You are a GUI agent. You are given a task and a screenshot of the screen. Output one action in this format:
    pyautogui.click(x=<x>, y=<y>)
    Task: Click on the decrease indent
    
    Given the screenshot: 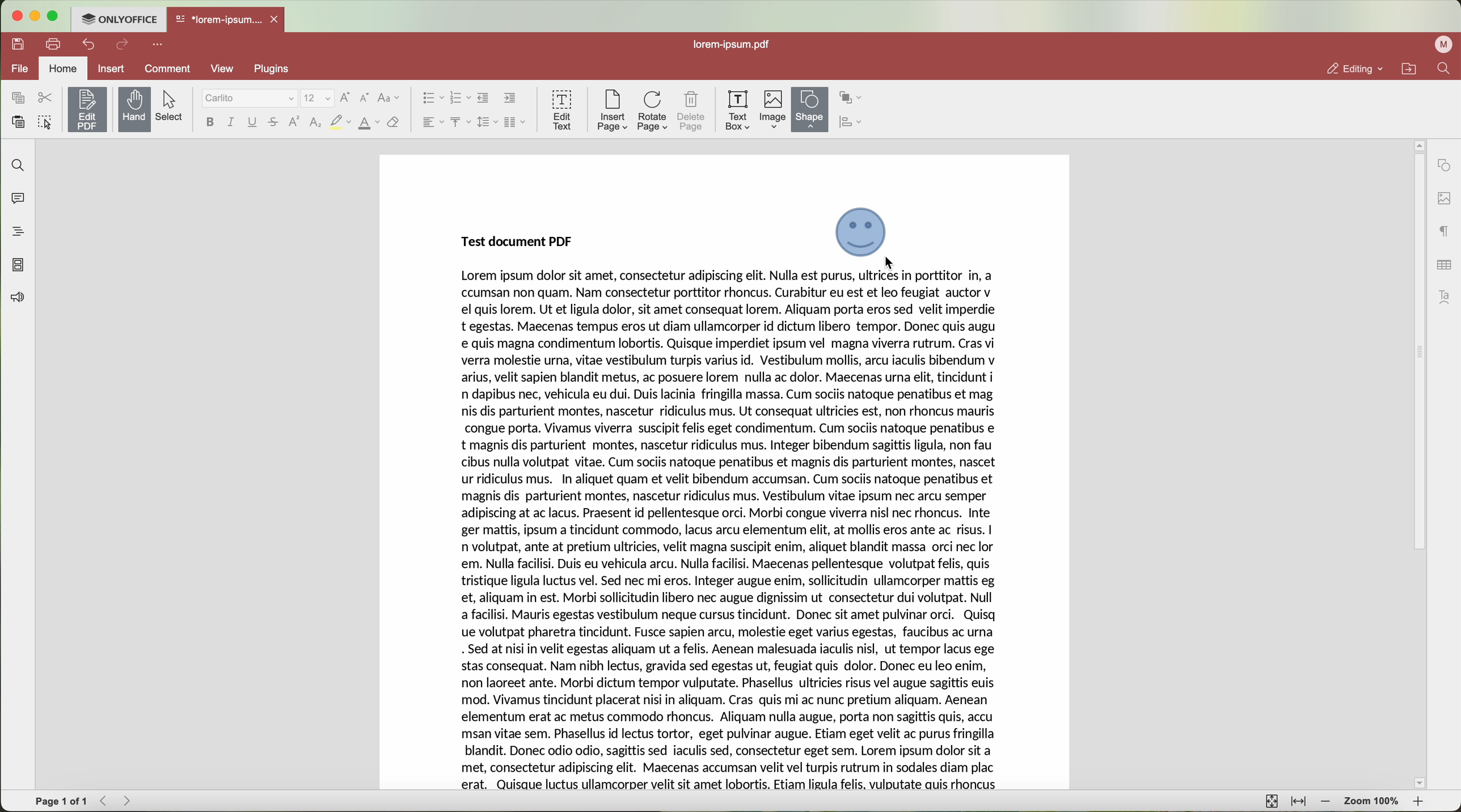 What is the action you would take?
    pyautogui.click(x=484, y=98)
    